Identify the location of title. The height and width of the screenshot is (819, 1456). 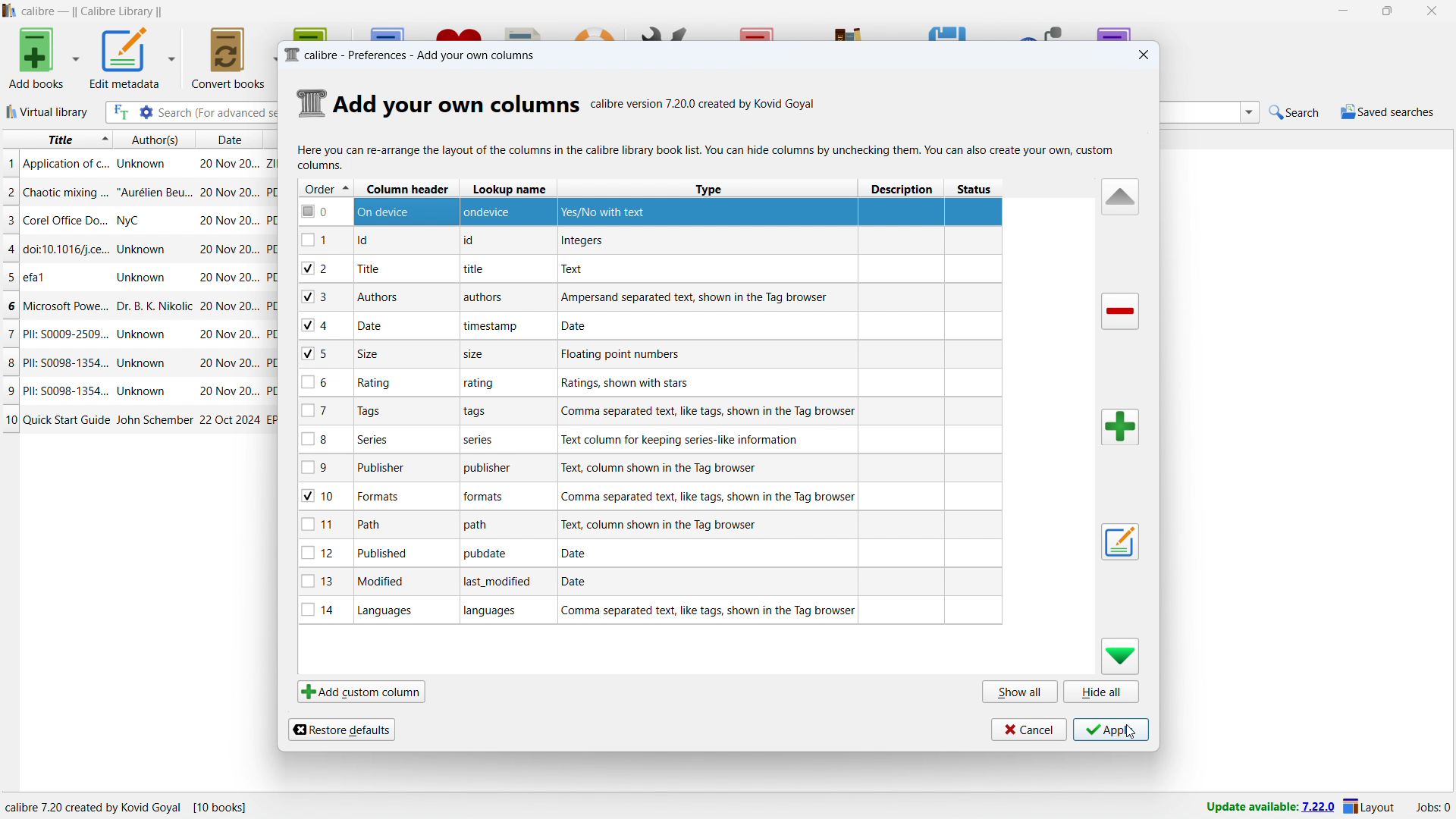
(64, 362).